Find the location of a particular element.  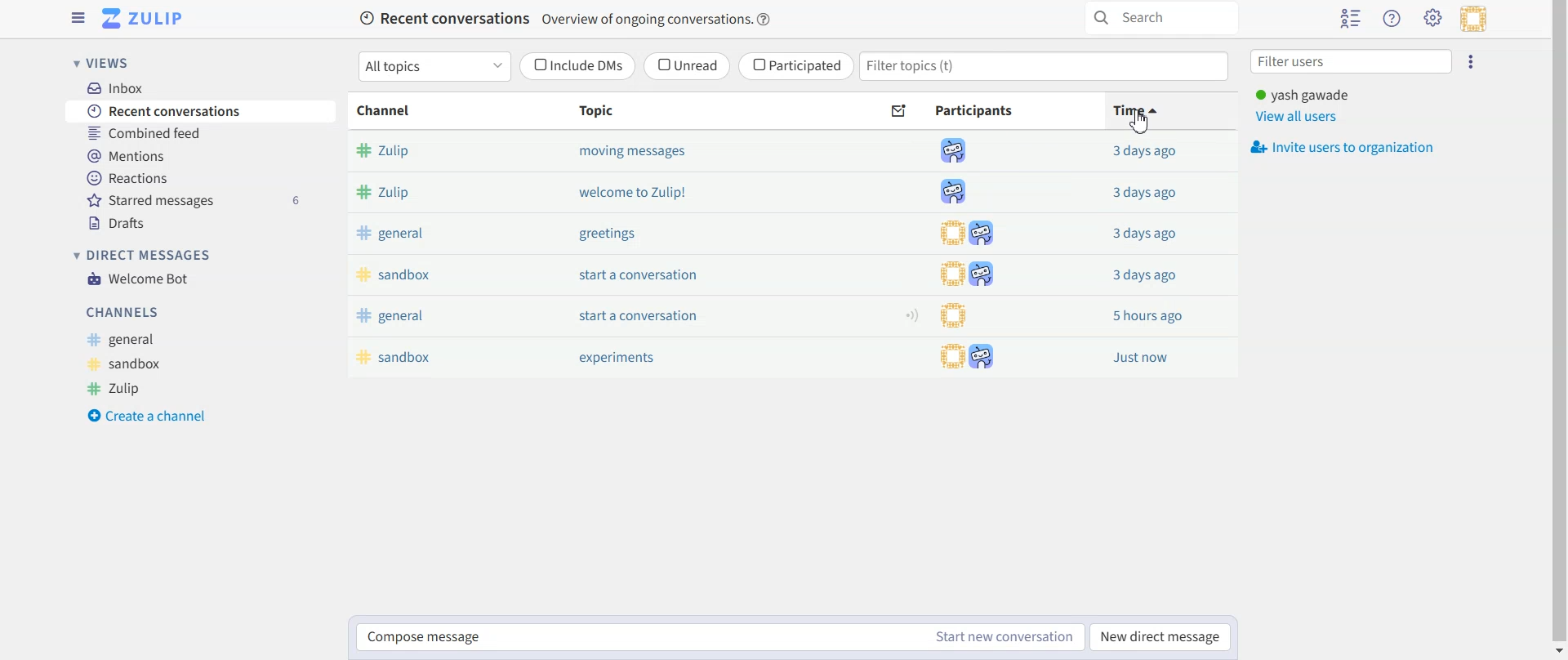

cursor is located at coordinates (1140, 122).